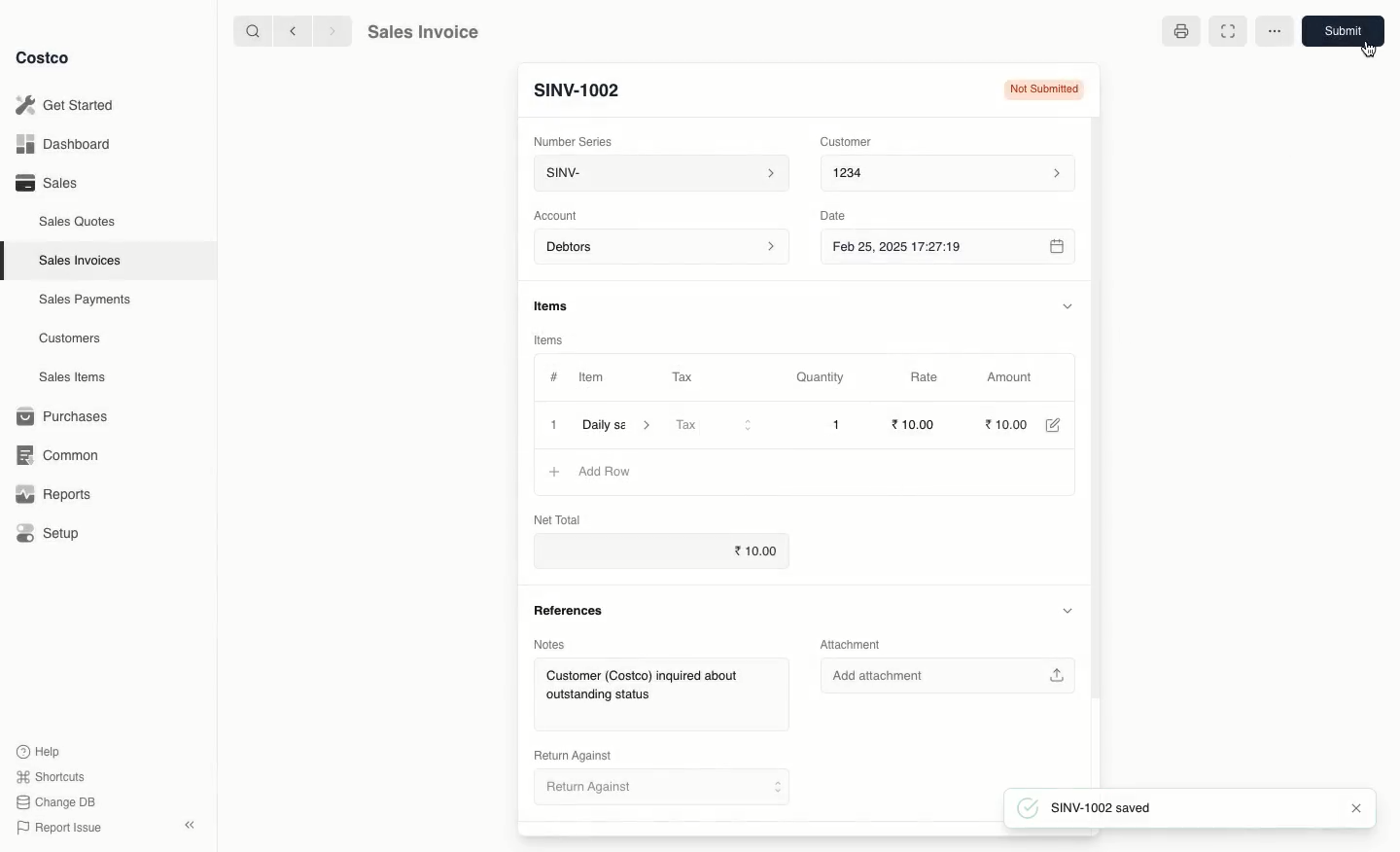  What do you see at coordinates (936, 376) in the screenshot?
I see `Rate` at bounding box center [936, 376].